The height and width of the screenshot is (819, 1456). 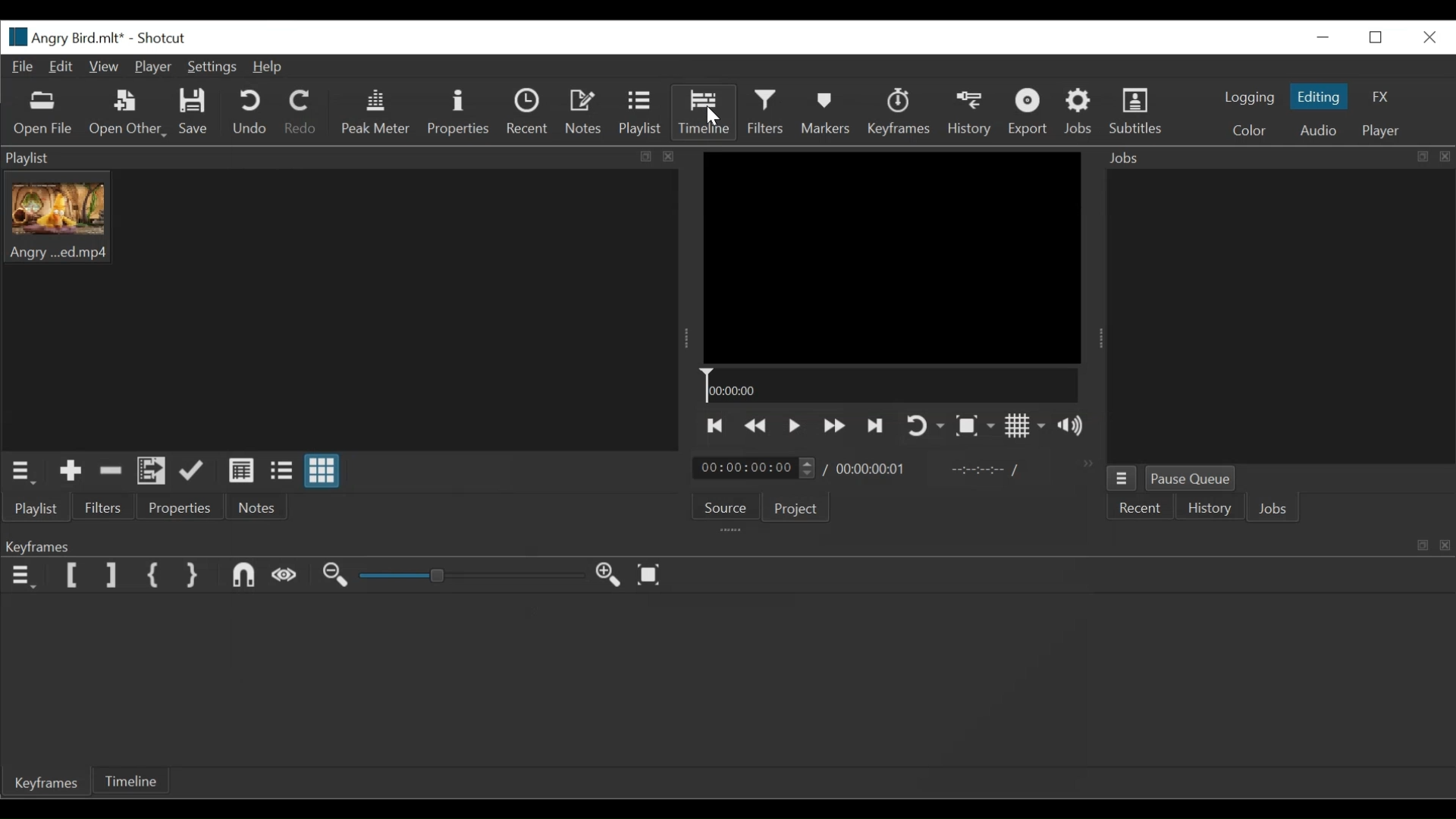 What do you see at coordinates (893, 256) in the screenshot?
I see `Media Viewer` at bounding box center [893, 256].